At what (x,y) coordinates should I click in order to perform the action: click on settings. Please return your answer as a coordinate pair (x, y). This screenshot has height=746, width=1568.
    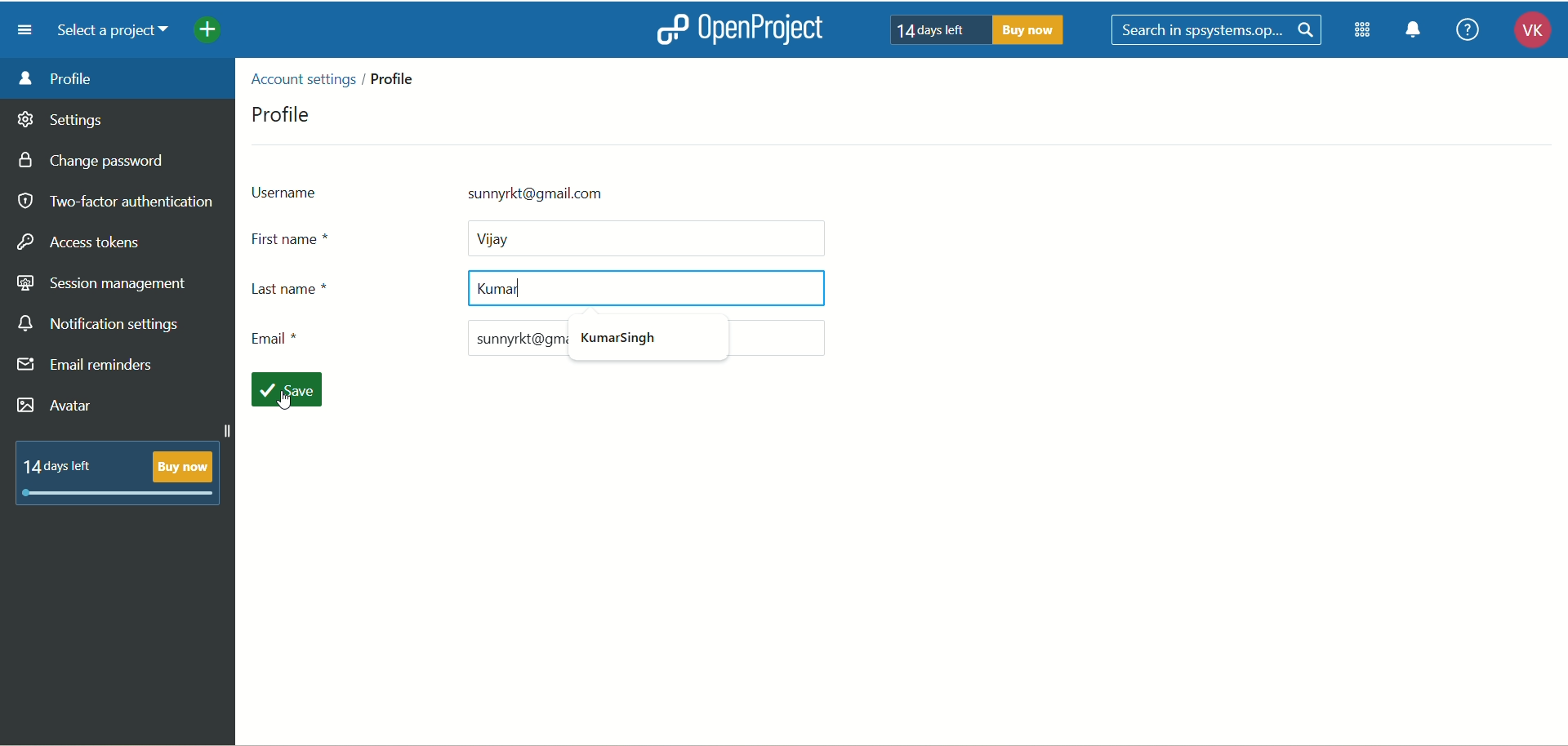
    Looking at the image, I should click on (61, 122).